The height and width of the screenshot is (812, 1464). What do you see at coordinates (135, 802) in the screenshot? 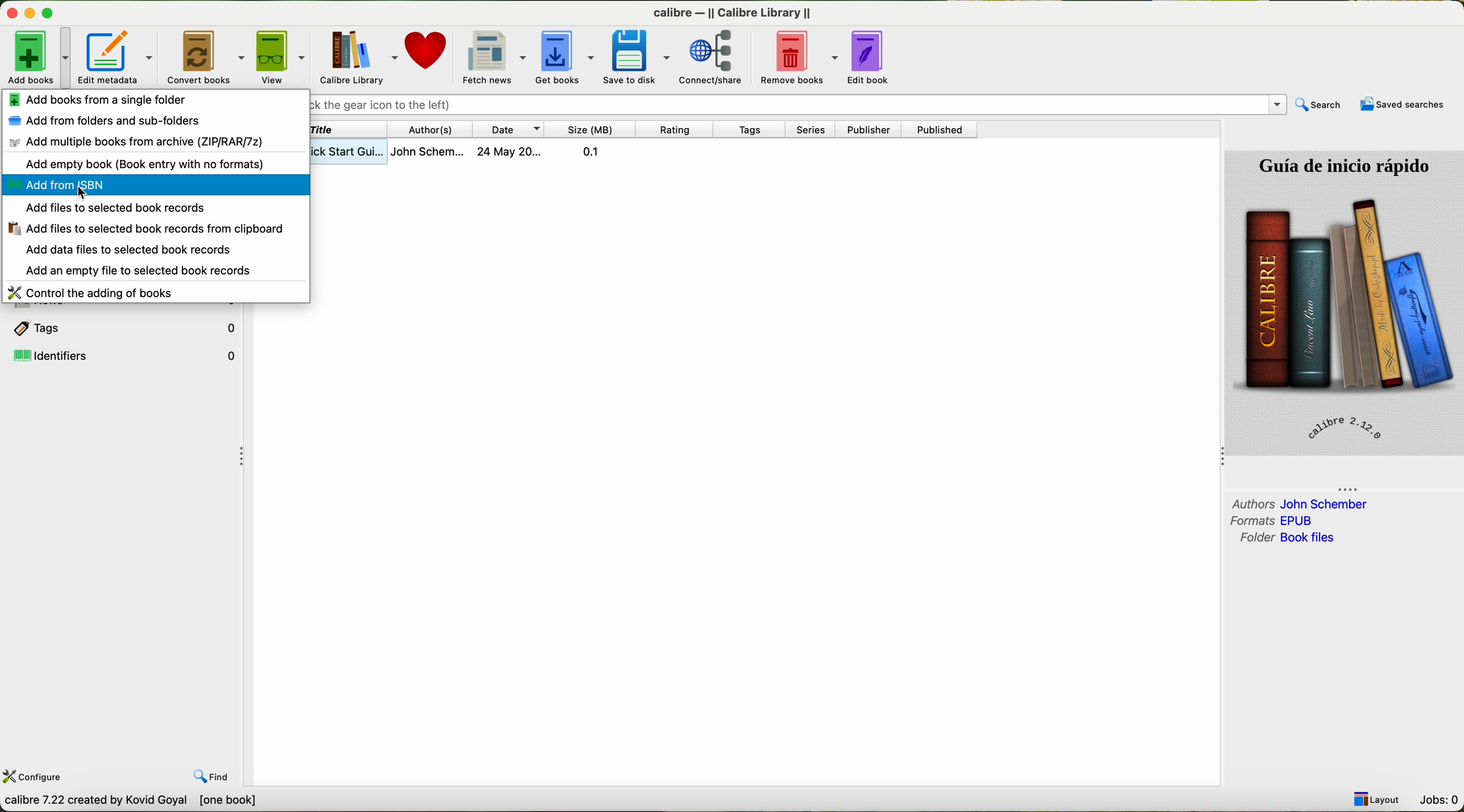
I see `Callibre 7.22 created by Kavid Goyal [0 books]` at bounding box center [135, 802].